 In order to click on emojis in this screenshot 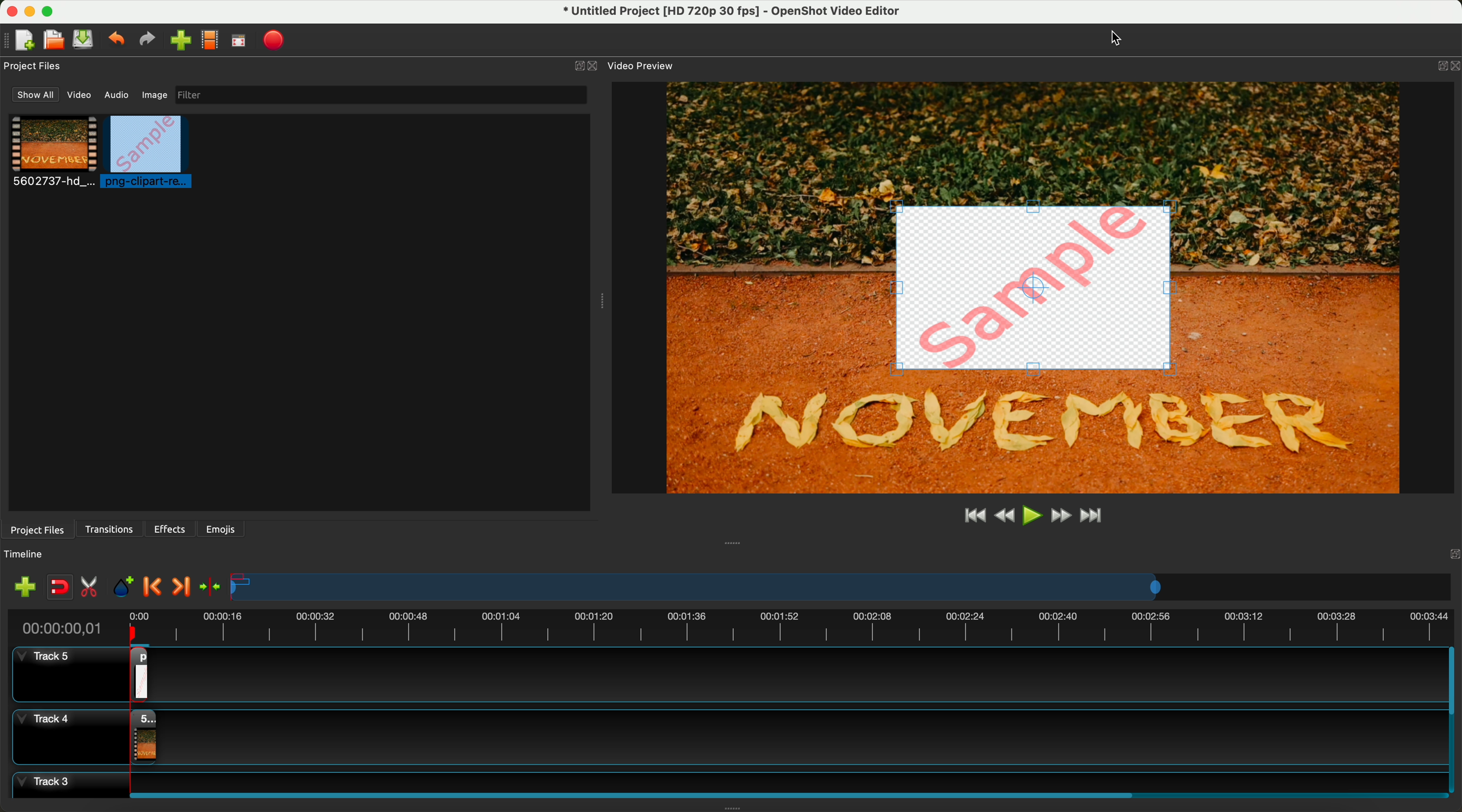, I will do `click(221, 527)`.